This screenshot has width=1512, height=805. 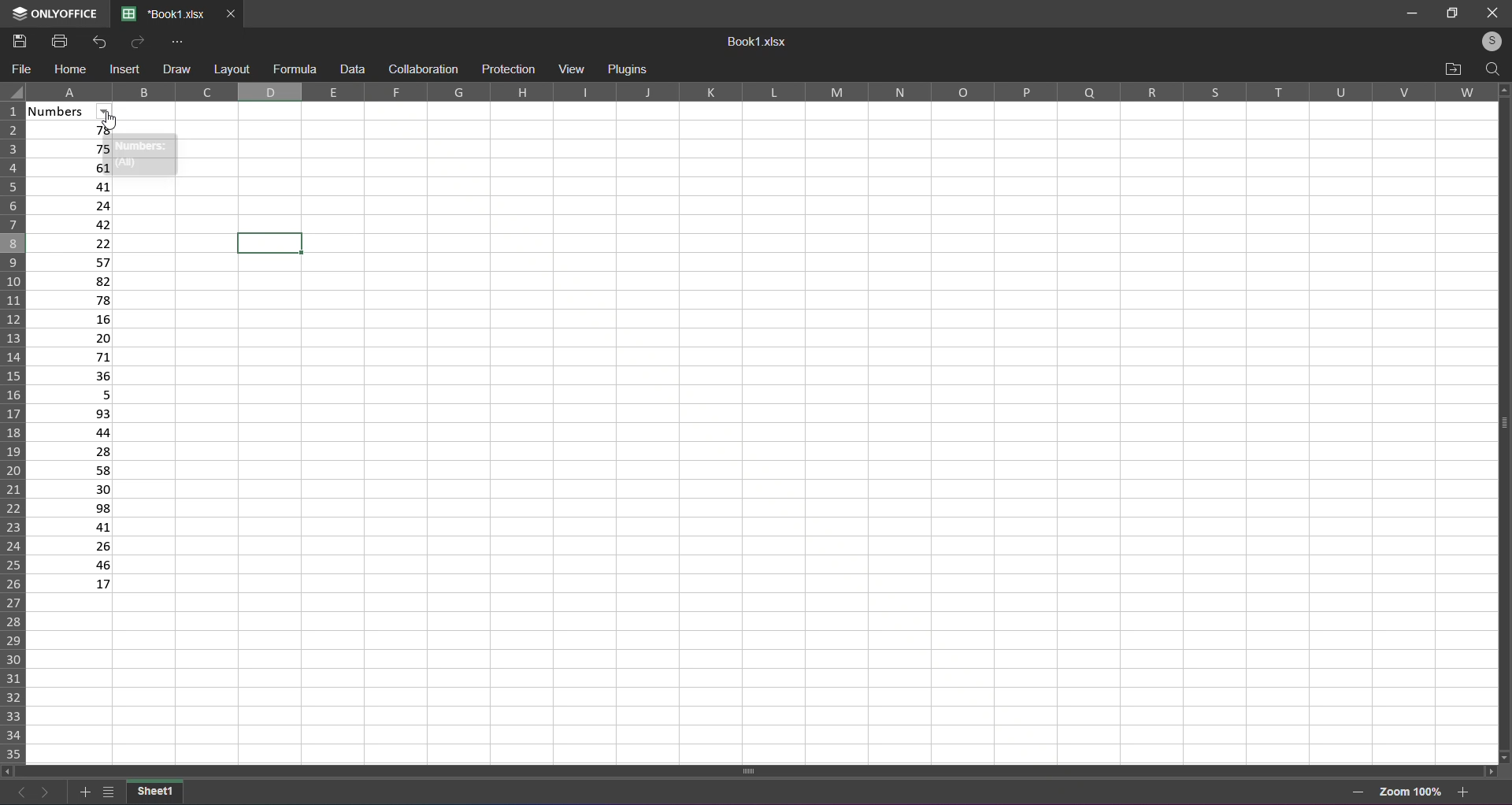 What do you see at coordinates (509, 69) in the screenshot?
I see `protection` at bounding box center [509, 69].